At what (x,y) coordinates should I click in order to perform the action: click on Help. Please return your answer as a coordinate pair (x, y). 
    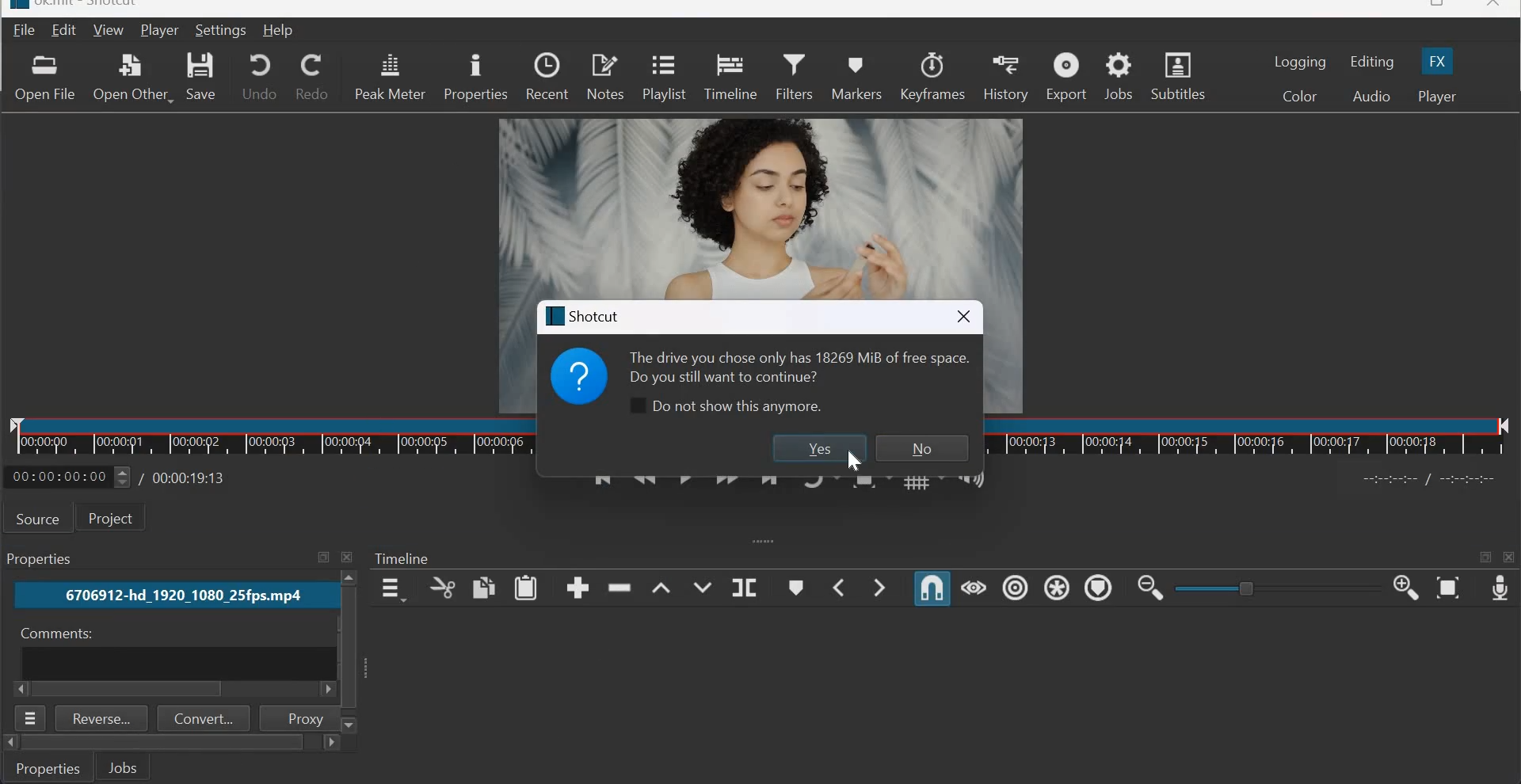
    Looking at the image, I should click on (279, 31).